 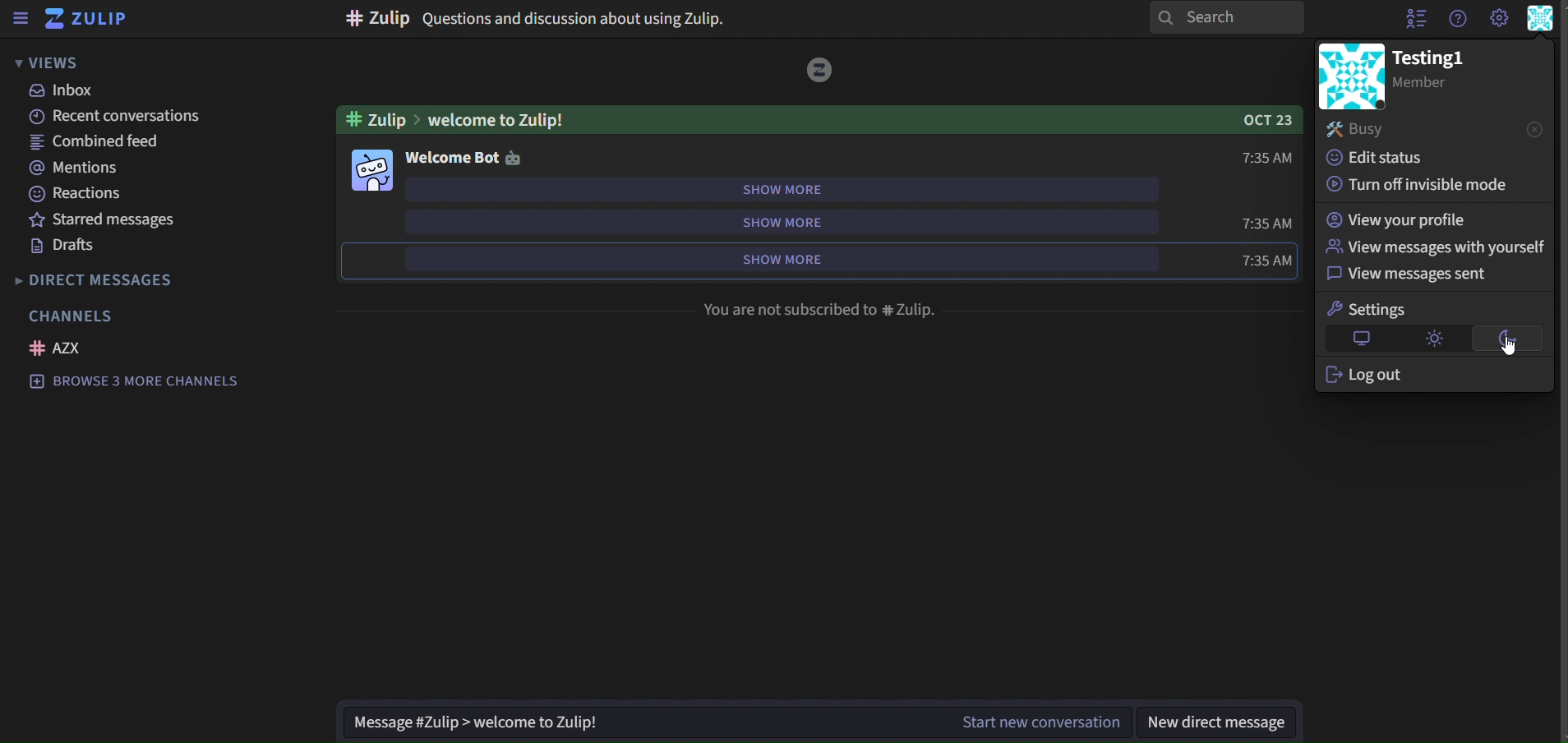 I want to click on #Zulip Question and discussion about using Zulip, so click(x=537, y=19).